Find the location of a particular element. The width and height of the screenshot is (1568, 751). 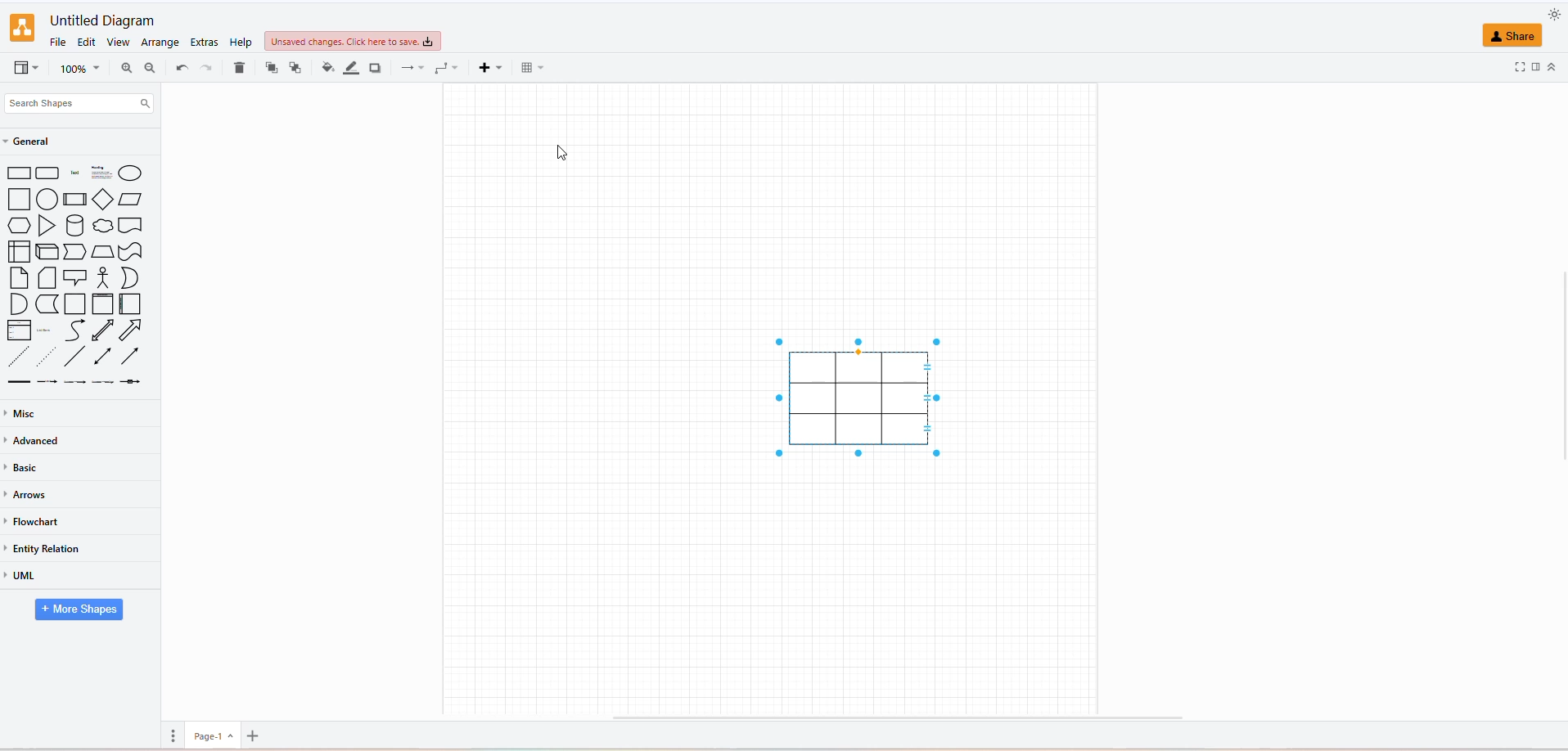

flowchart is located at coordinates (35, 520).